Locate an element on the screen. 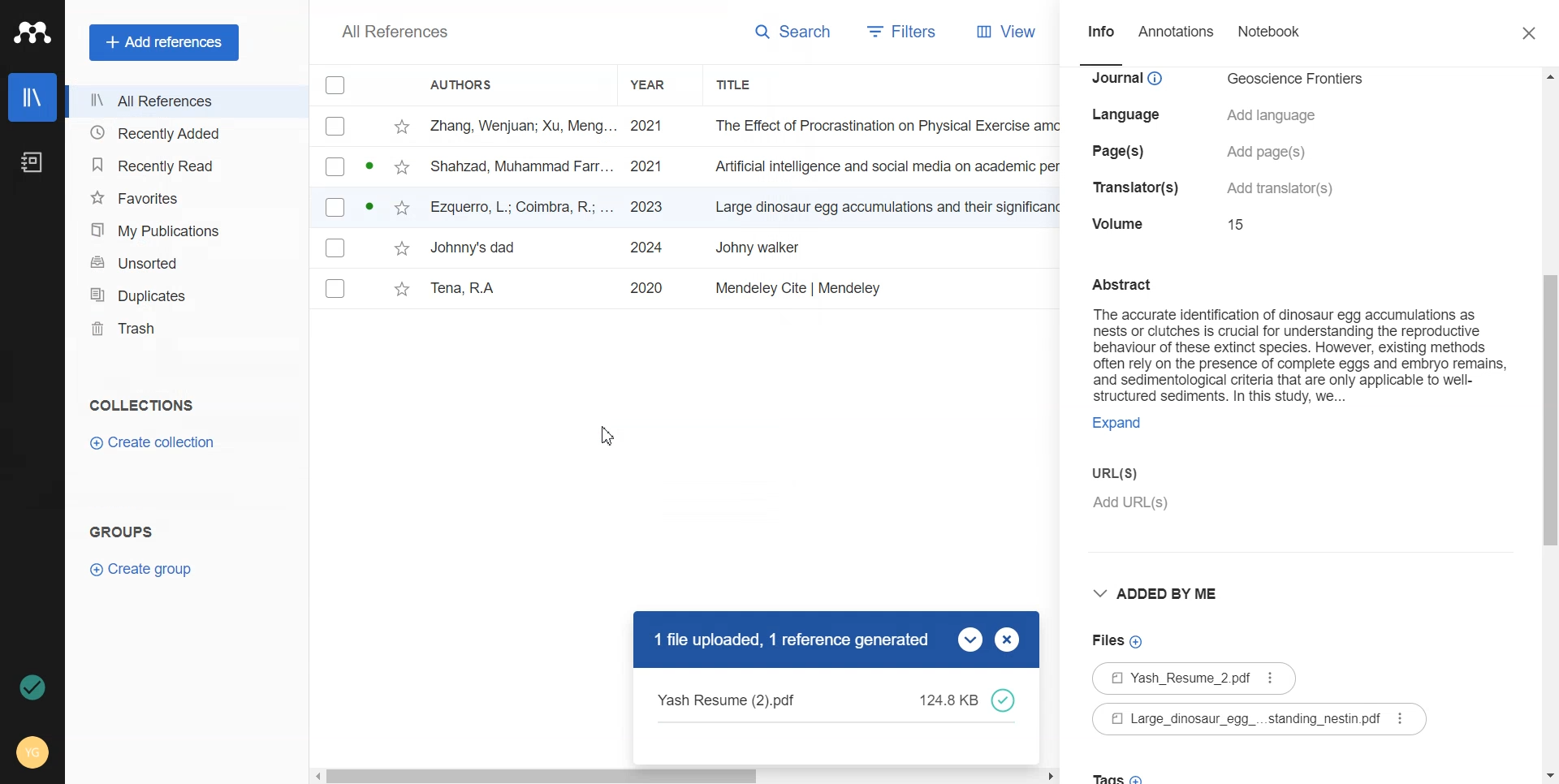 Image resolution: width=1559 pixels, height=784 pixels. Collection is located at coordinates (141, 404).